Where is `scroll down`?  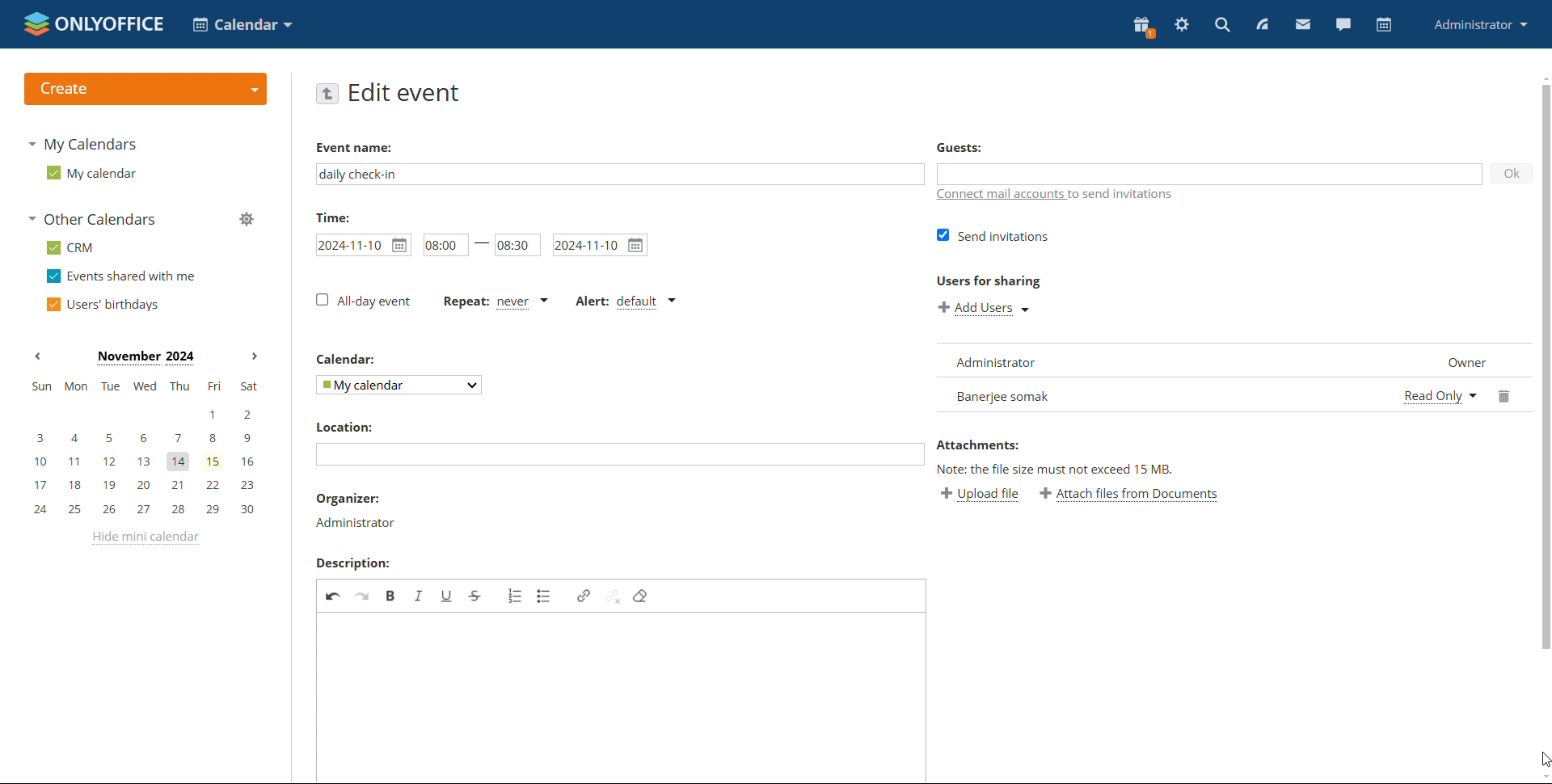 scroll down is located at coordinates (1542, 776).